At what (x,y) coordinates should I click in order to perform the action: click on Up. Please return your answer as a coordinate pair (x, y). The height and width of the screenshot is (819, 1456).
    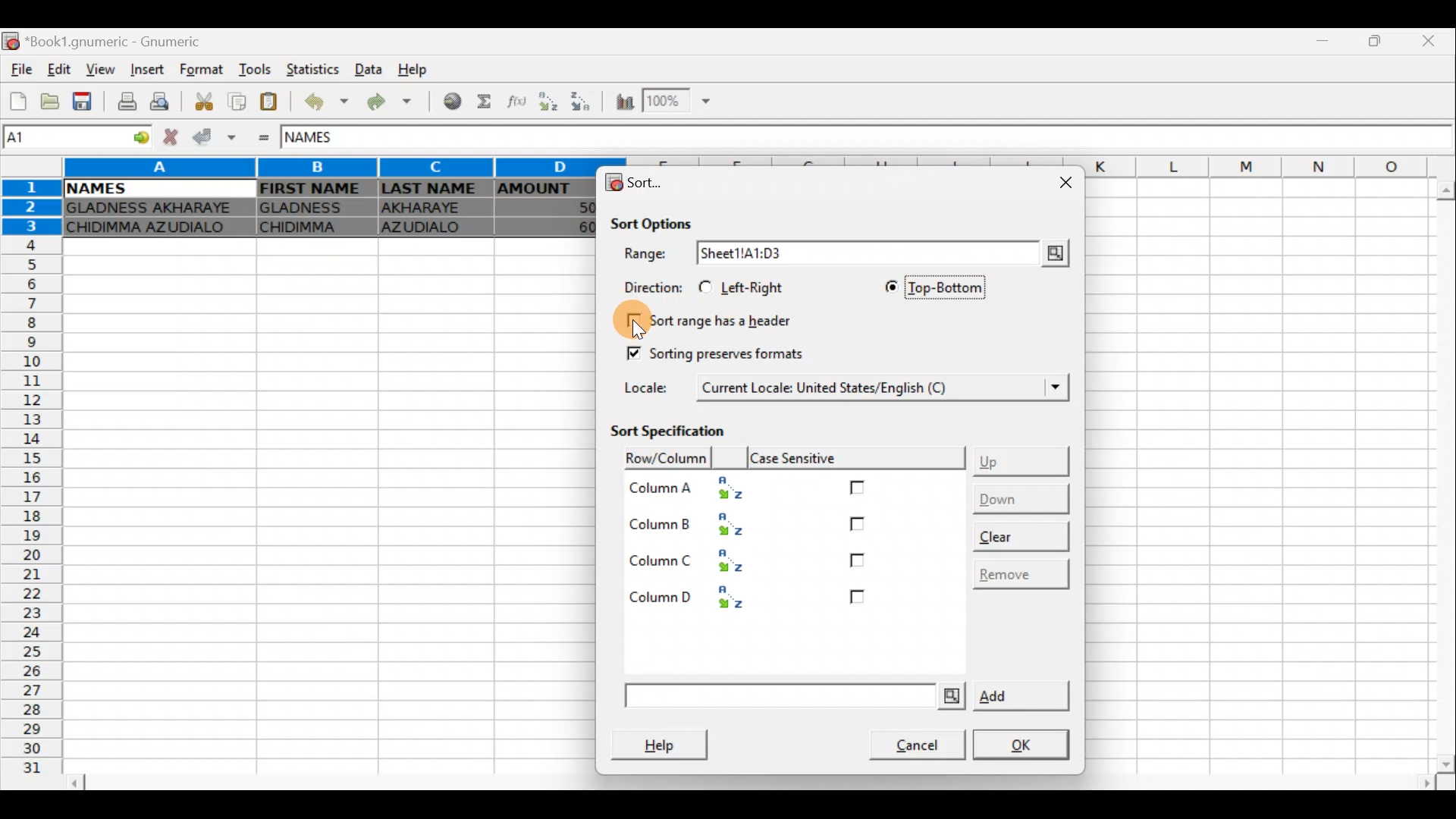
    Looking at the image, I should click on (1024, 458).